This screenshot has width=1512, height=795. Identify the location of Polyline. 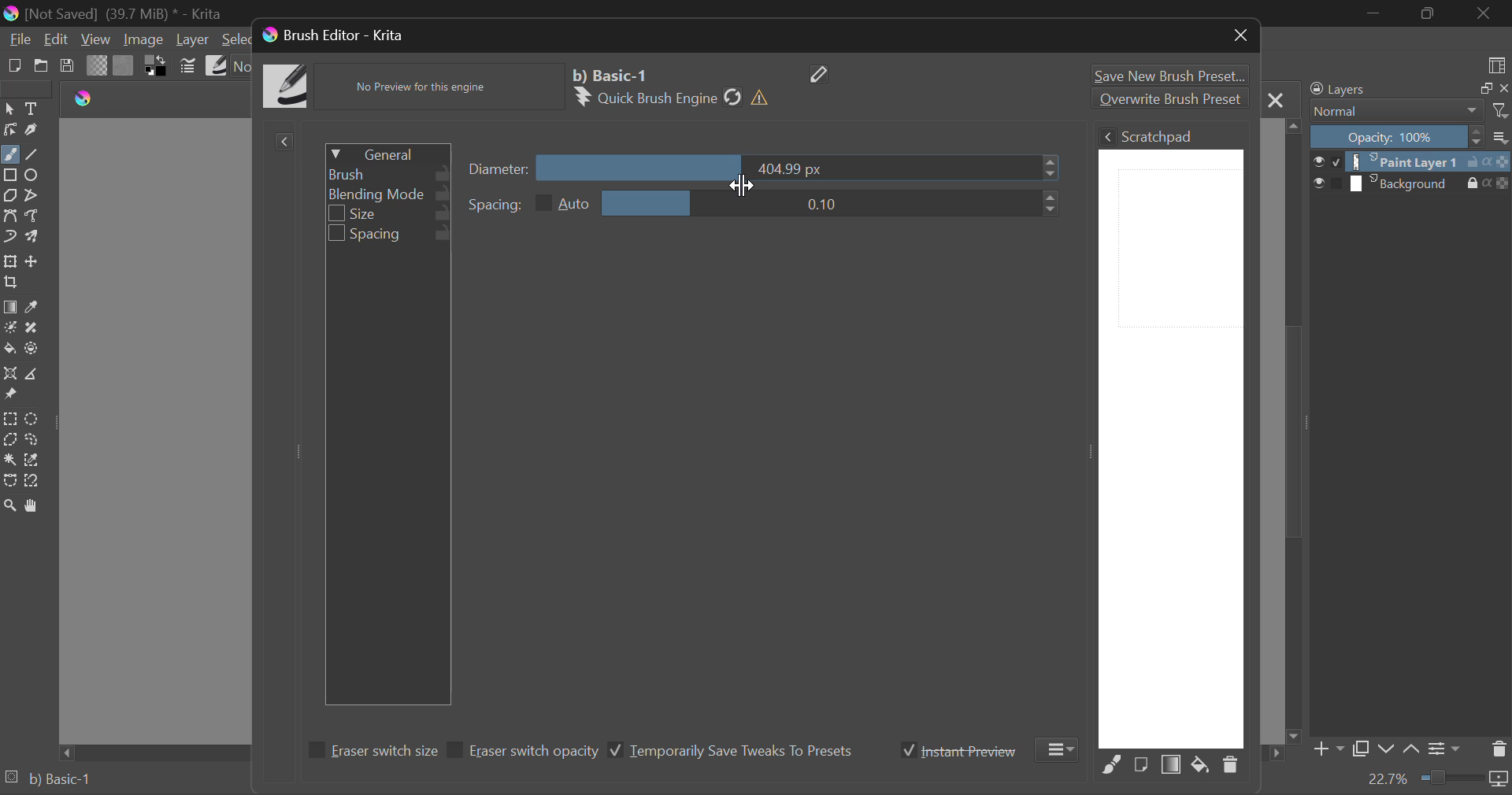
(35, 195).